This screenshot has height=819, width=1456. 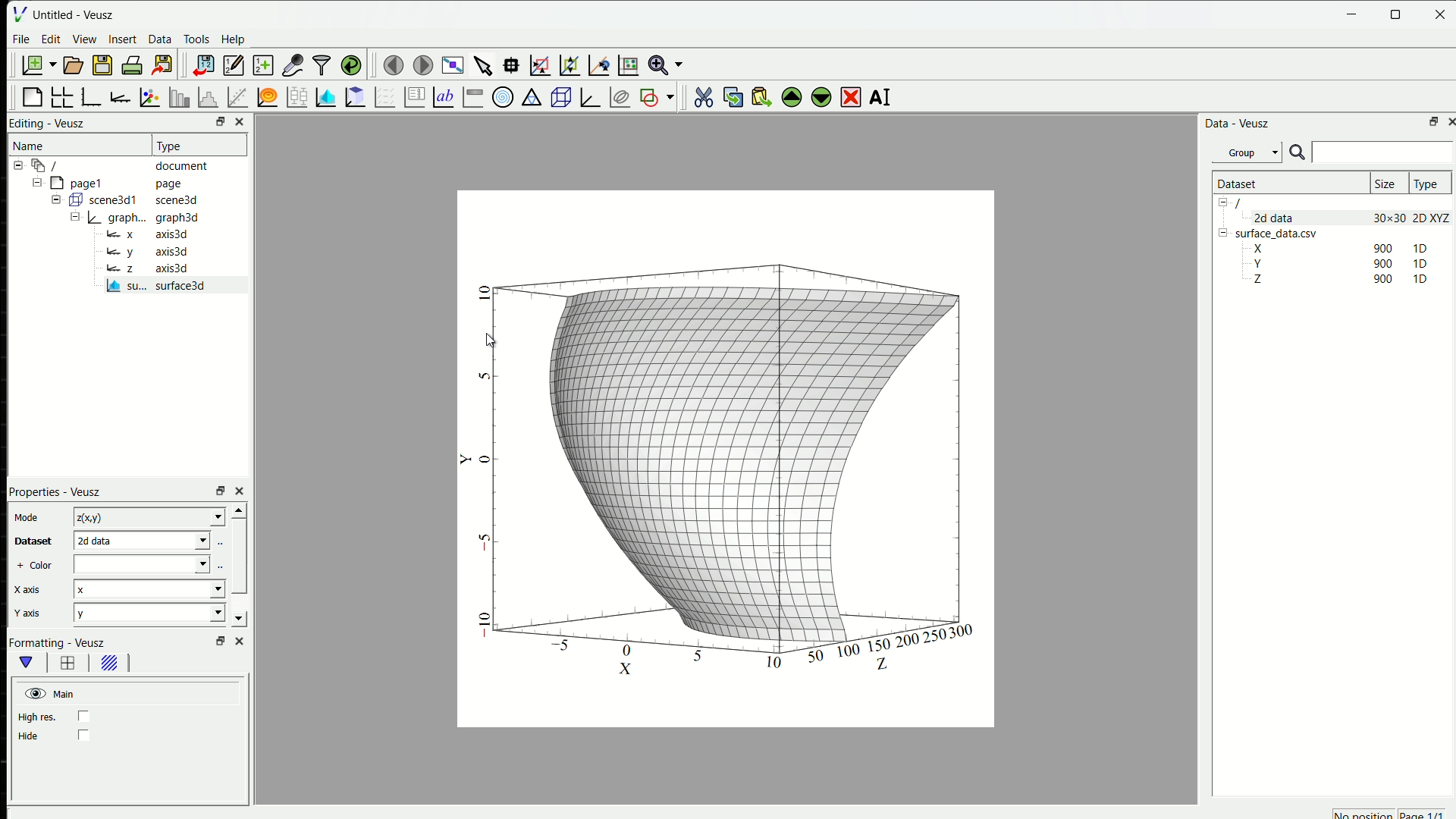 What do you see at coordinates (171, 252) in the screenshot?
I see `axis3d` at bounding box center [171, 252].